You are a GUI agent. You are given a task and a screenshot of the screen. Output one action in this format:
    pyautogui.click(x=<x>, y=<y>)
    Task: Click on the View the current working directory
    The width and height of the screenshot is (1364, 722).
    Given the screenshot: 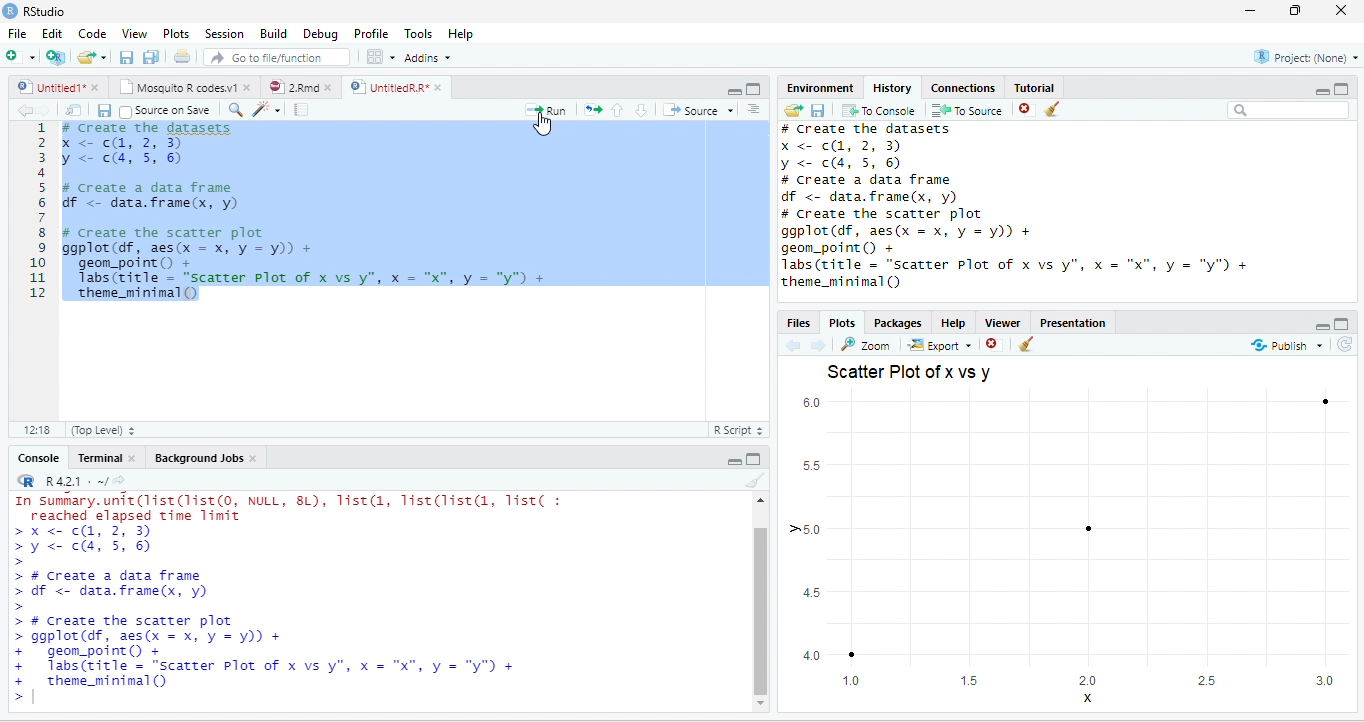 What is the action you would take?
    pyautogui.click(x=119, y=479)
    